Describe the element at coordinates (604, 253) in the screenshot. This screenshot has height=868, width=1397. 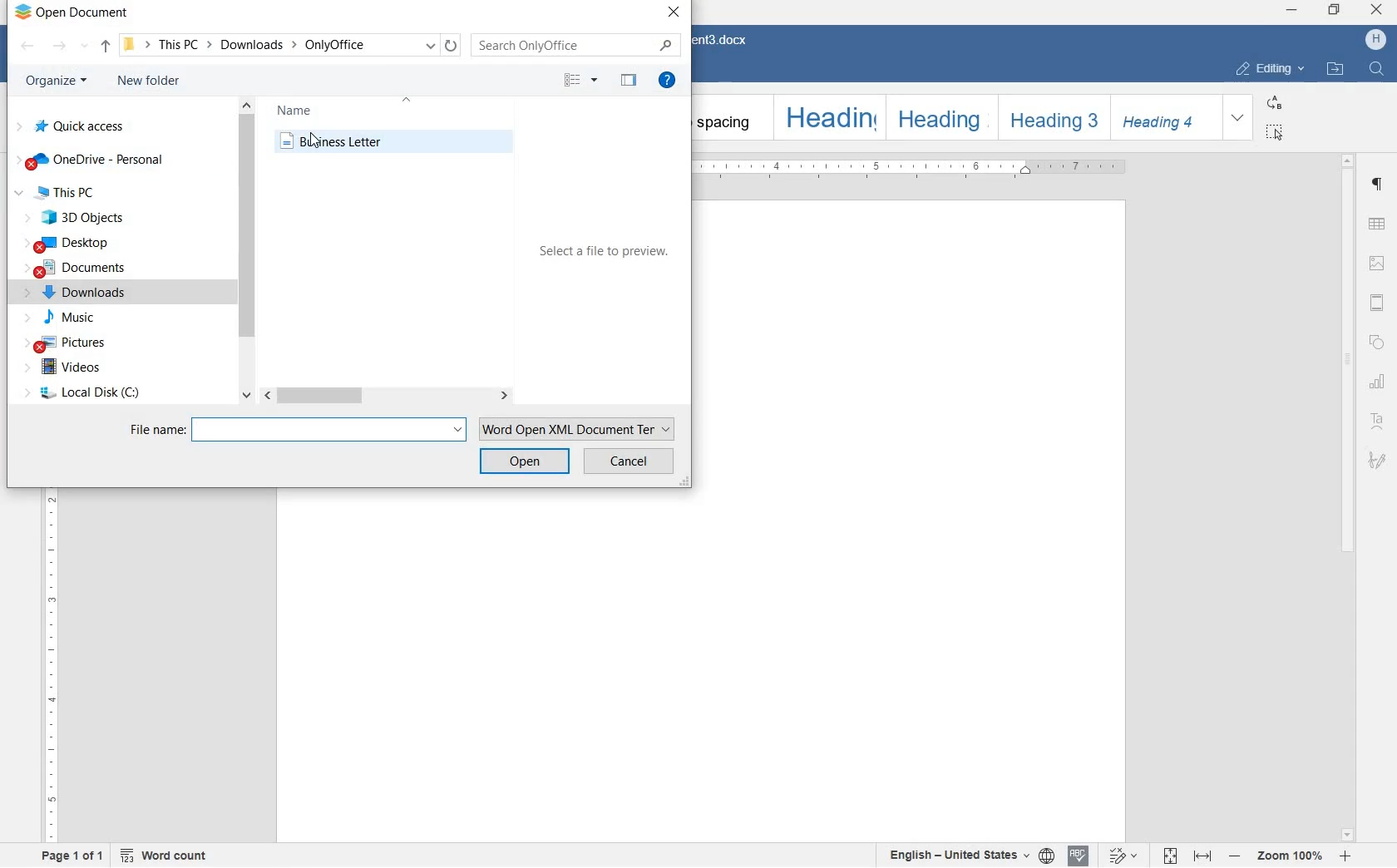
I see `select a file to preview` at that location.